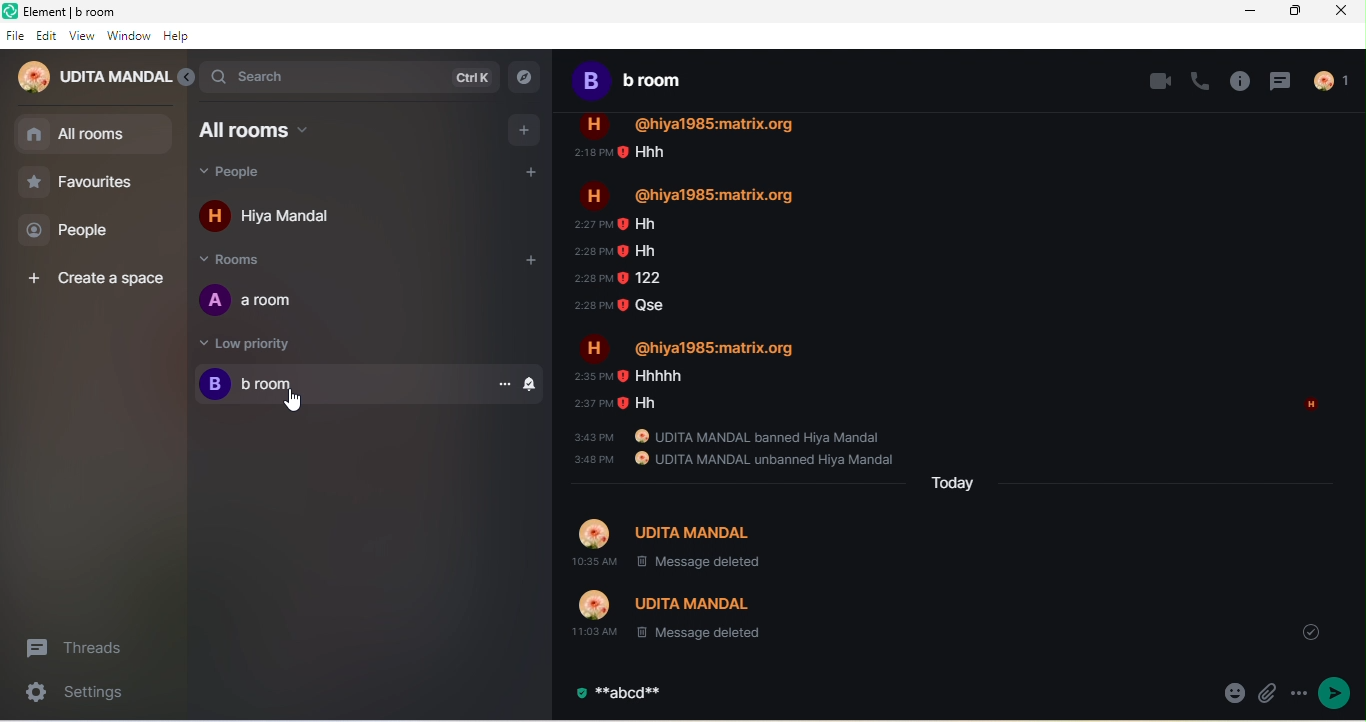  I want to click on option, so click(507, 384).